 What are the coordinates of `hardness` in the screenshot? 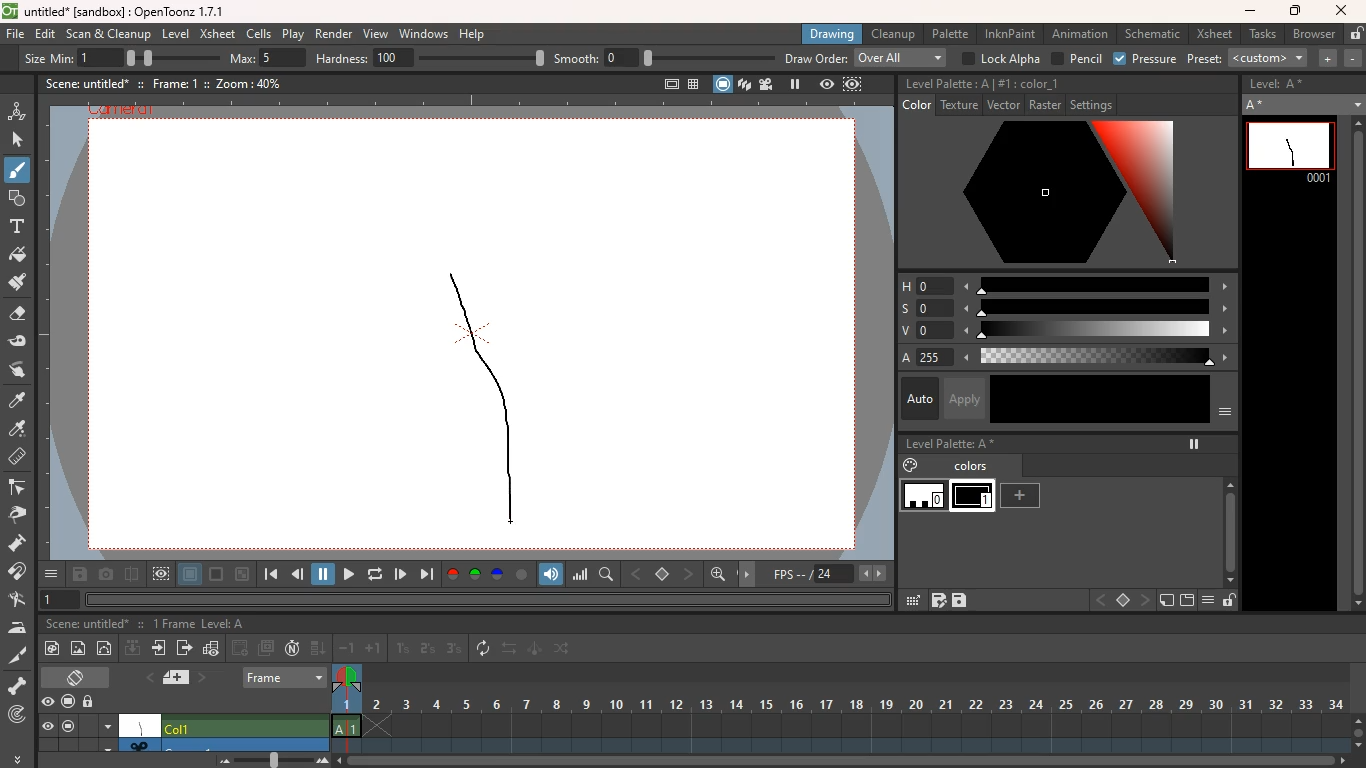 It's located at (432, 58).